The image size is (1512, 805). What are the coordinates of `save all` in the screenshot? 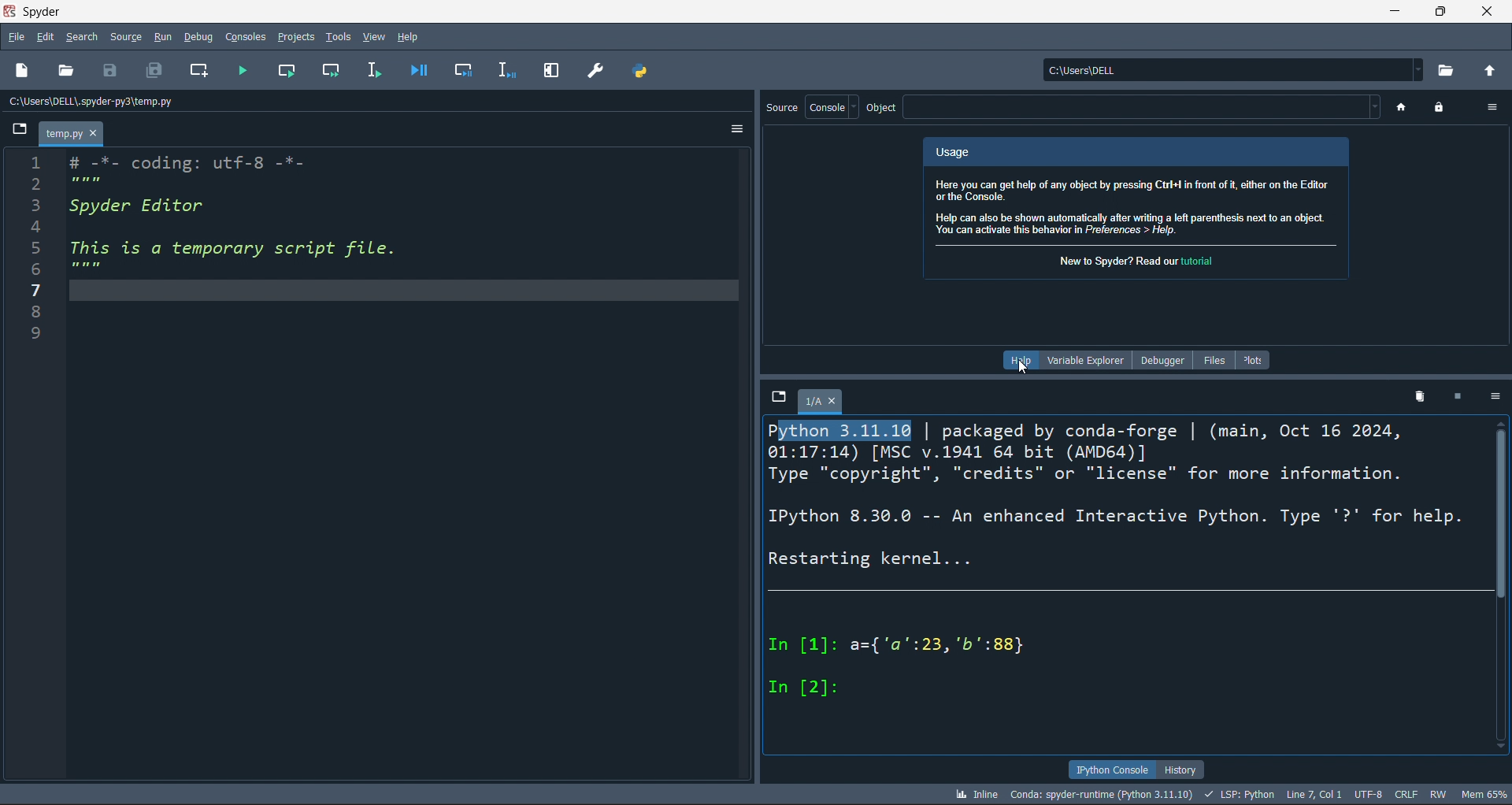 It's located at (150, 72).